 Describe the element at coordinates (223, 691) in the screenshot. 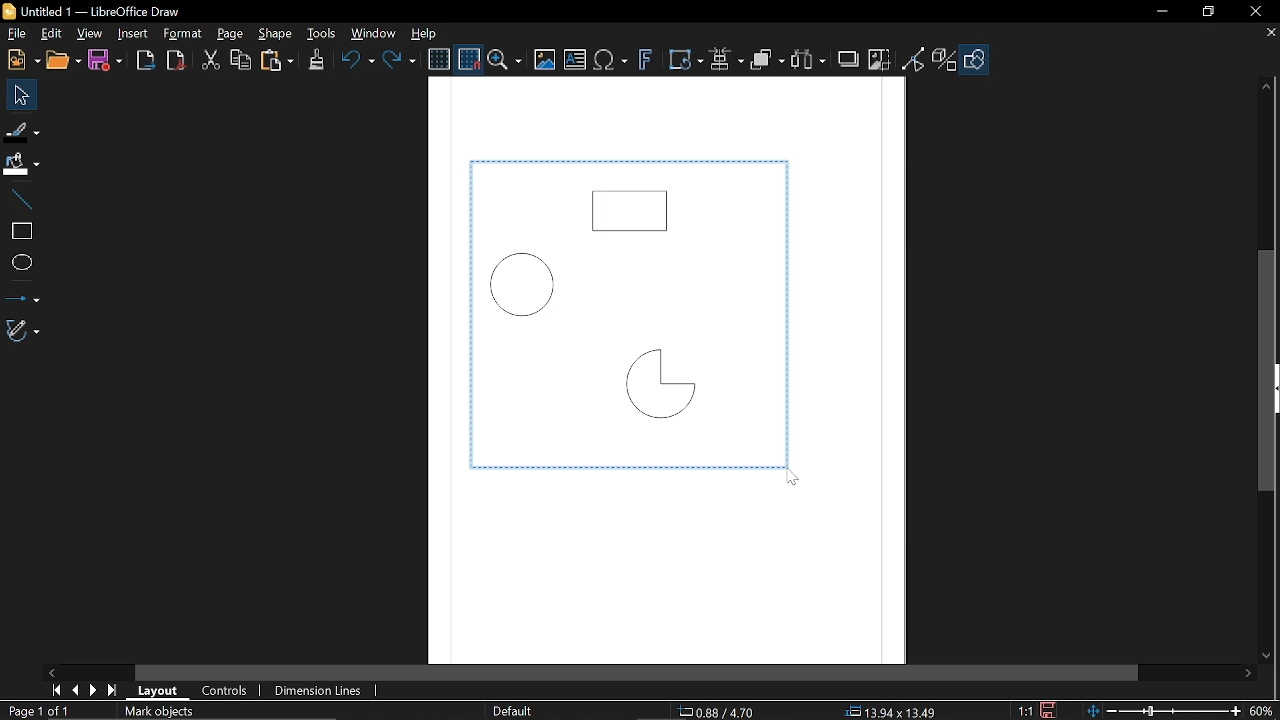

I see `COntrols` at that location.